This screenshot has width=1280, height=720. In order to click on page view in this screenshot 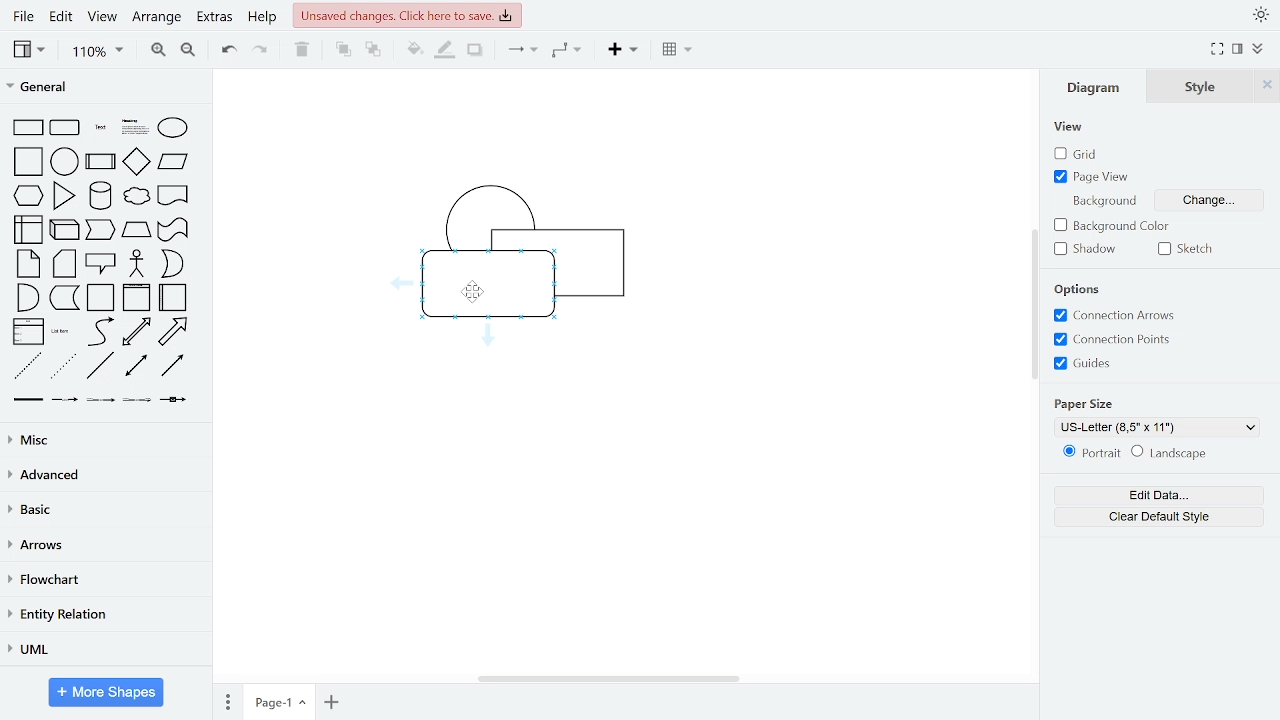, I will do `click(1092, 177)`.